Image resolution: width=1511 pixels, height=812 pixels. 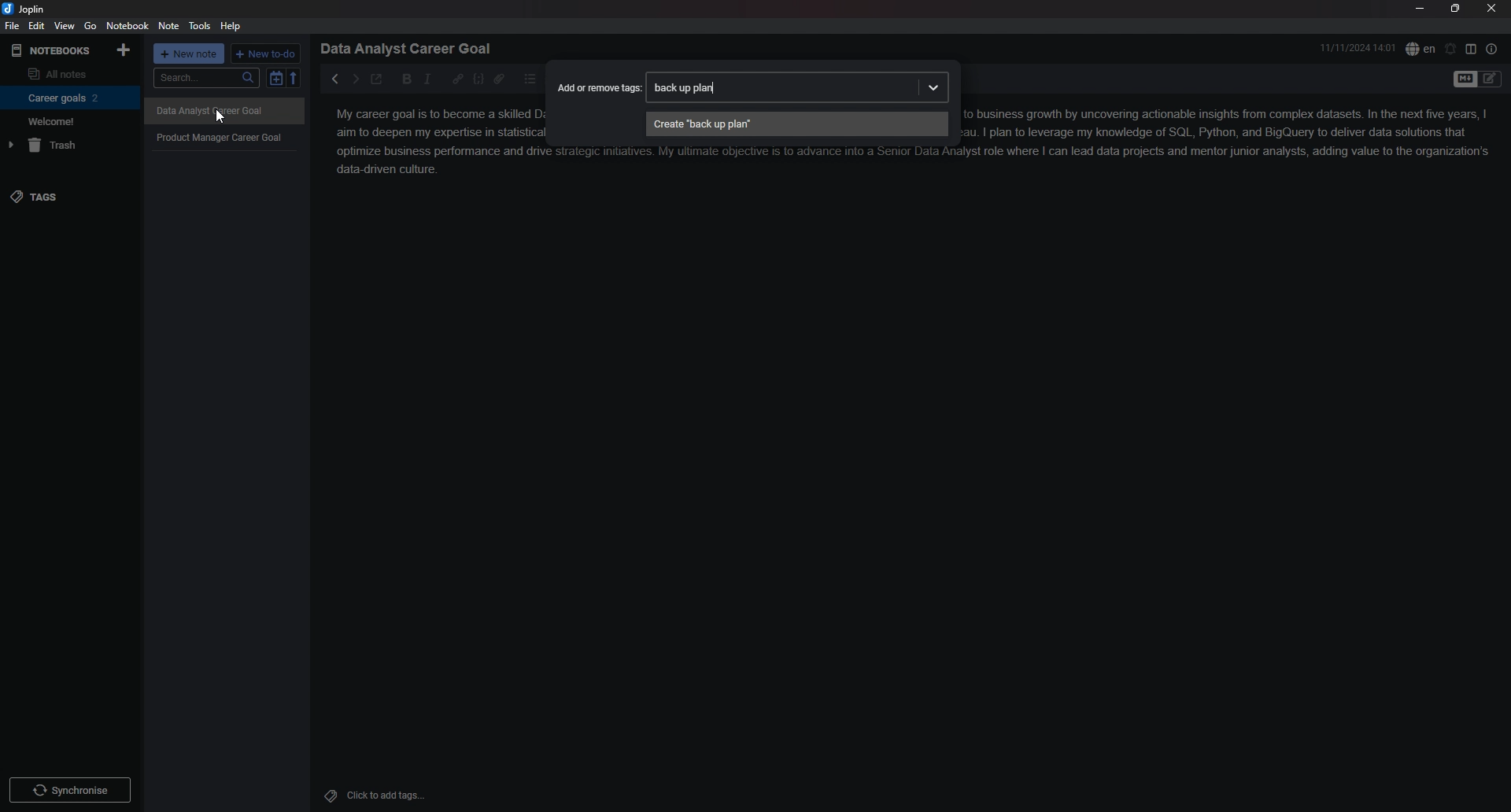 What do you see at coordinates (65, 26) in the screenshot?
I see `view` at bounding box center [65, 26].